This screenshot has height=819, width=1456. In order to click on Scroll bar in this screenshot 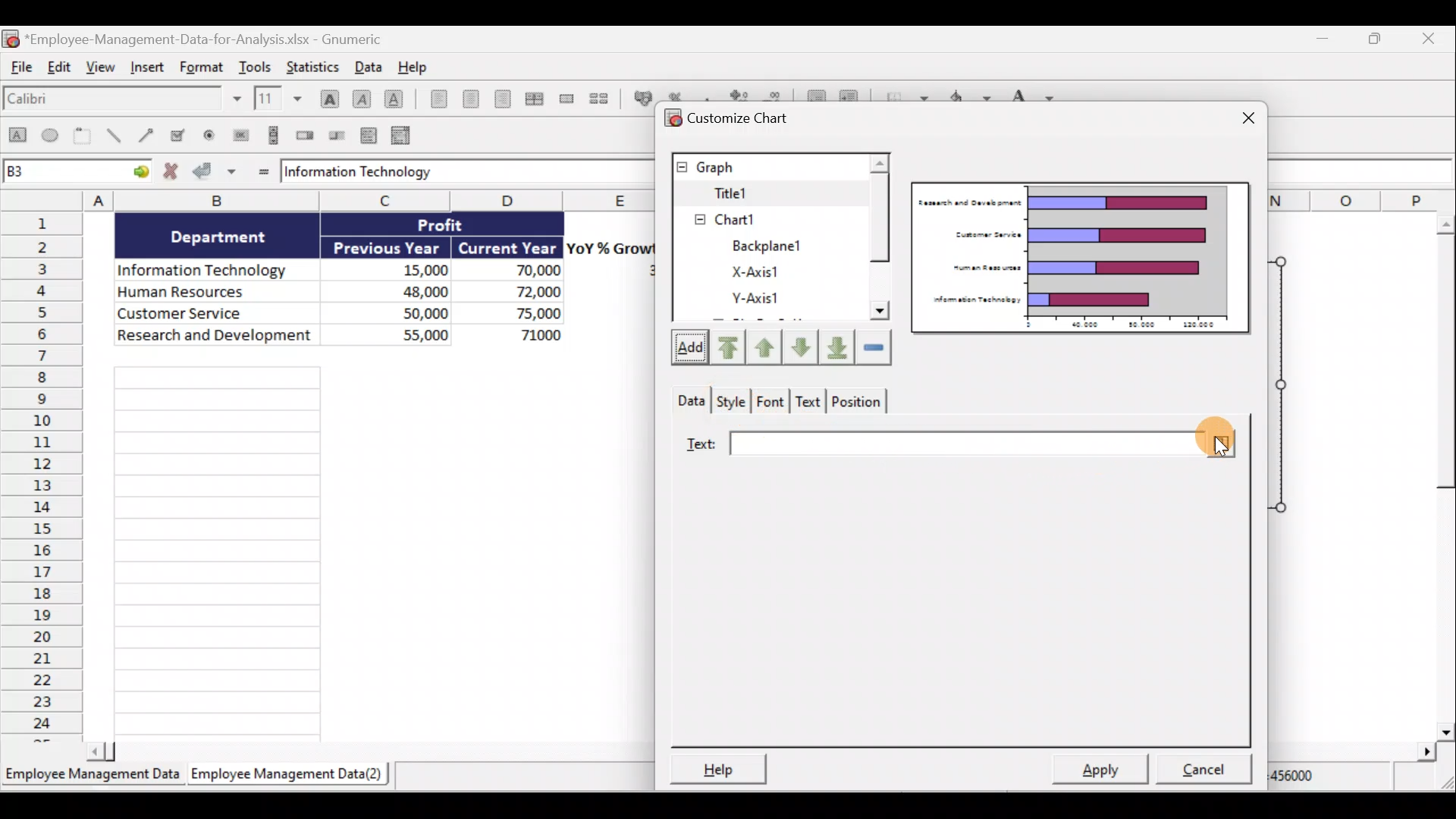, I will do `click(1439, 473)`.